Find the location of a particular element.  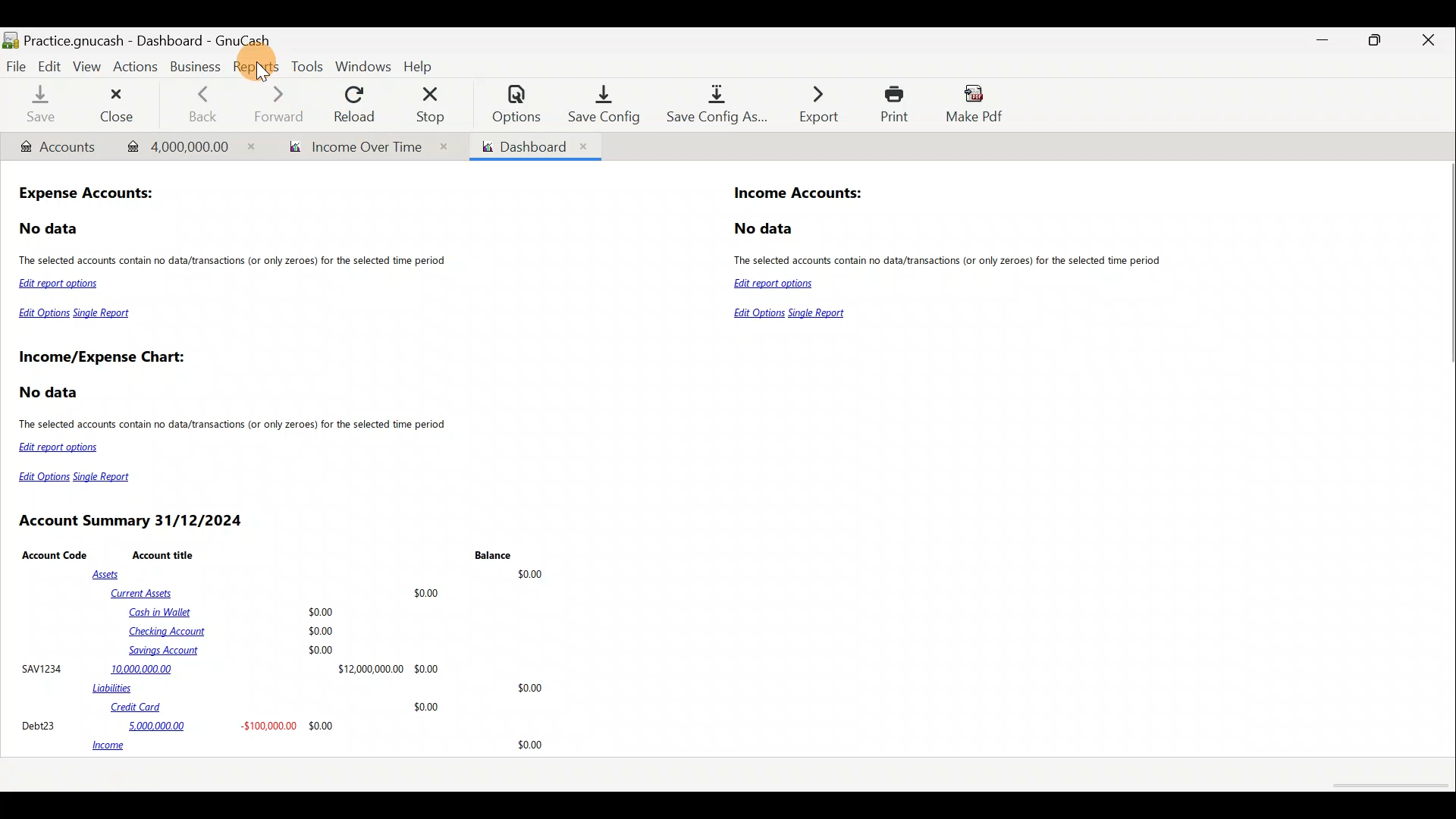

No data is located at coordinates (50, 229).